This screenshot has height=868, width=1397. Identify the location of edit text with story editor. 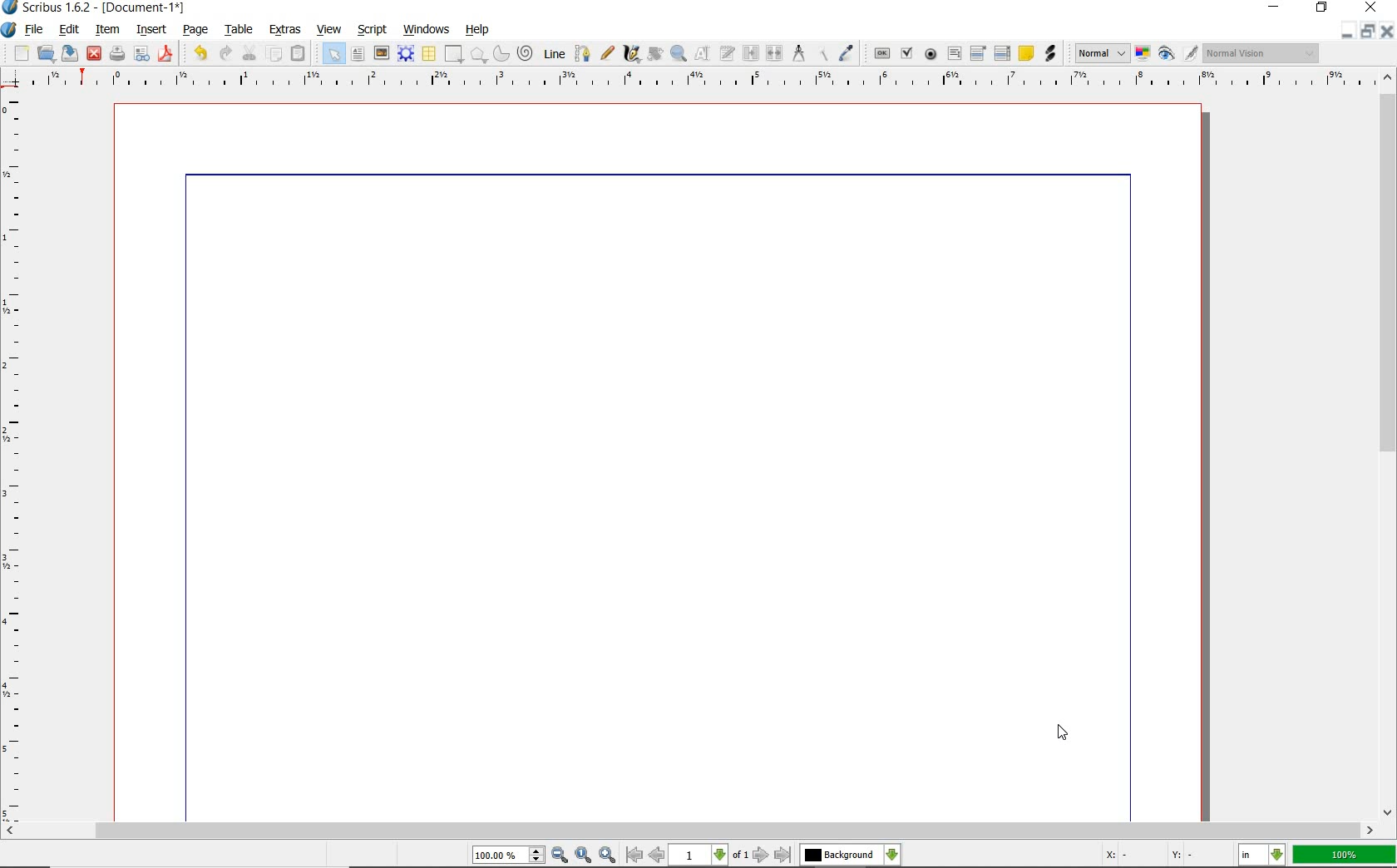
(728, 55).